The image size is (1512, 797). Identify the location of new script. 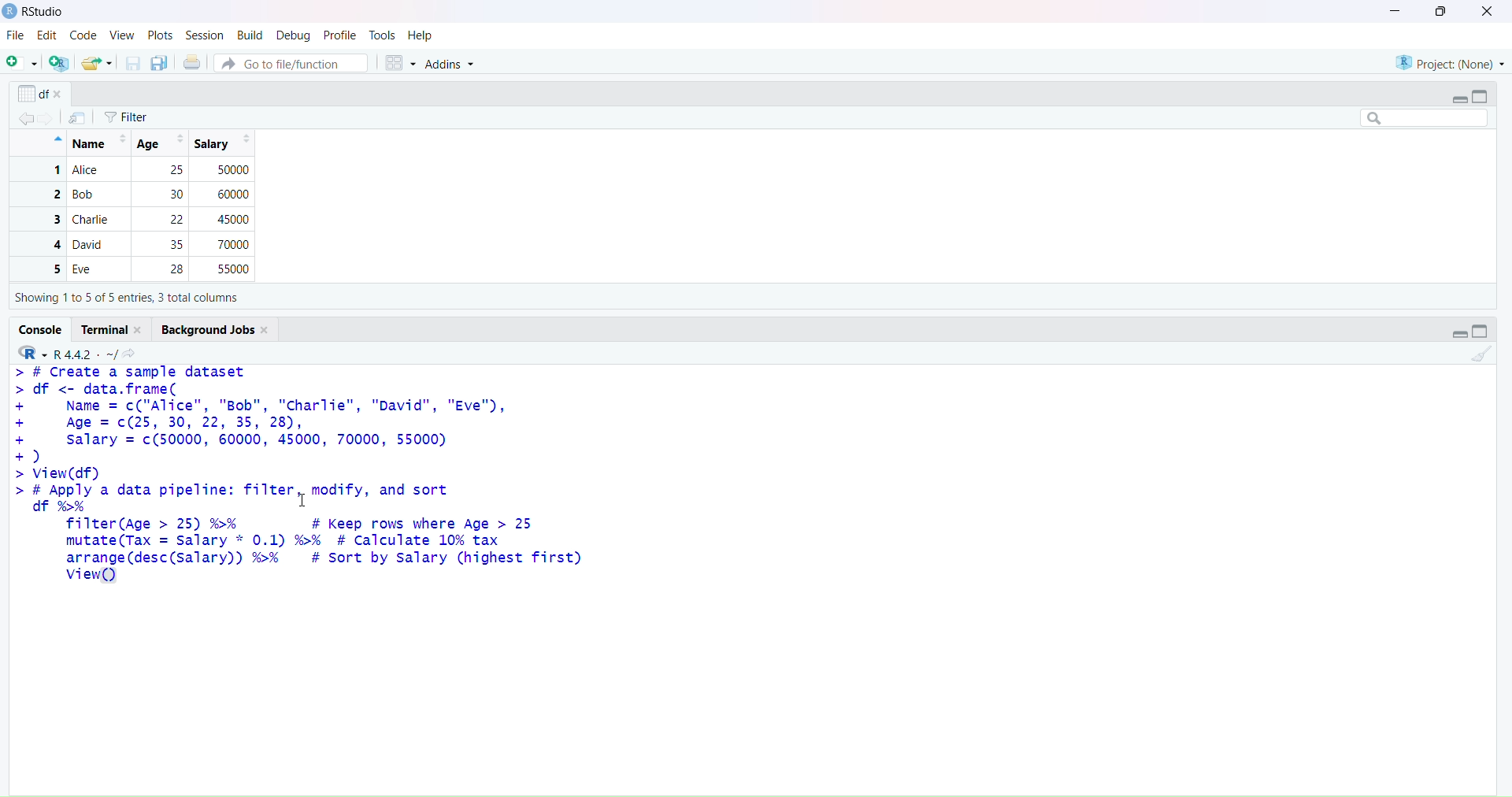
(21, 63).